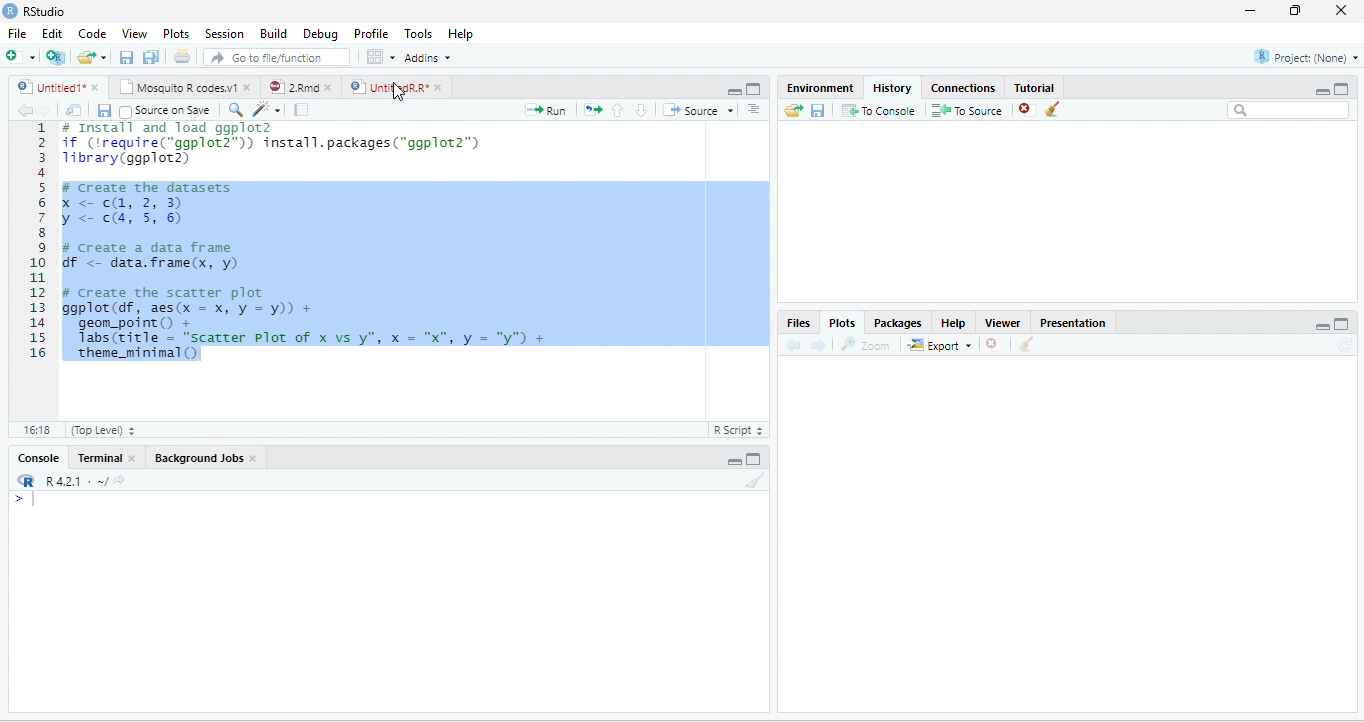 The image size is (1364, 722). I want to click on Project: (None), so click(1305, 57).